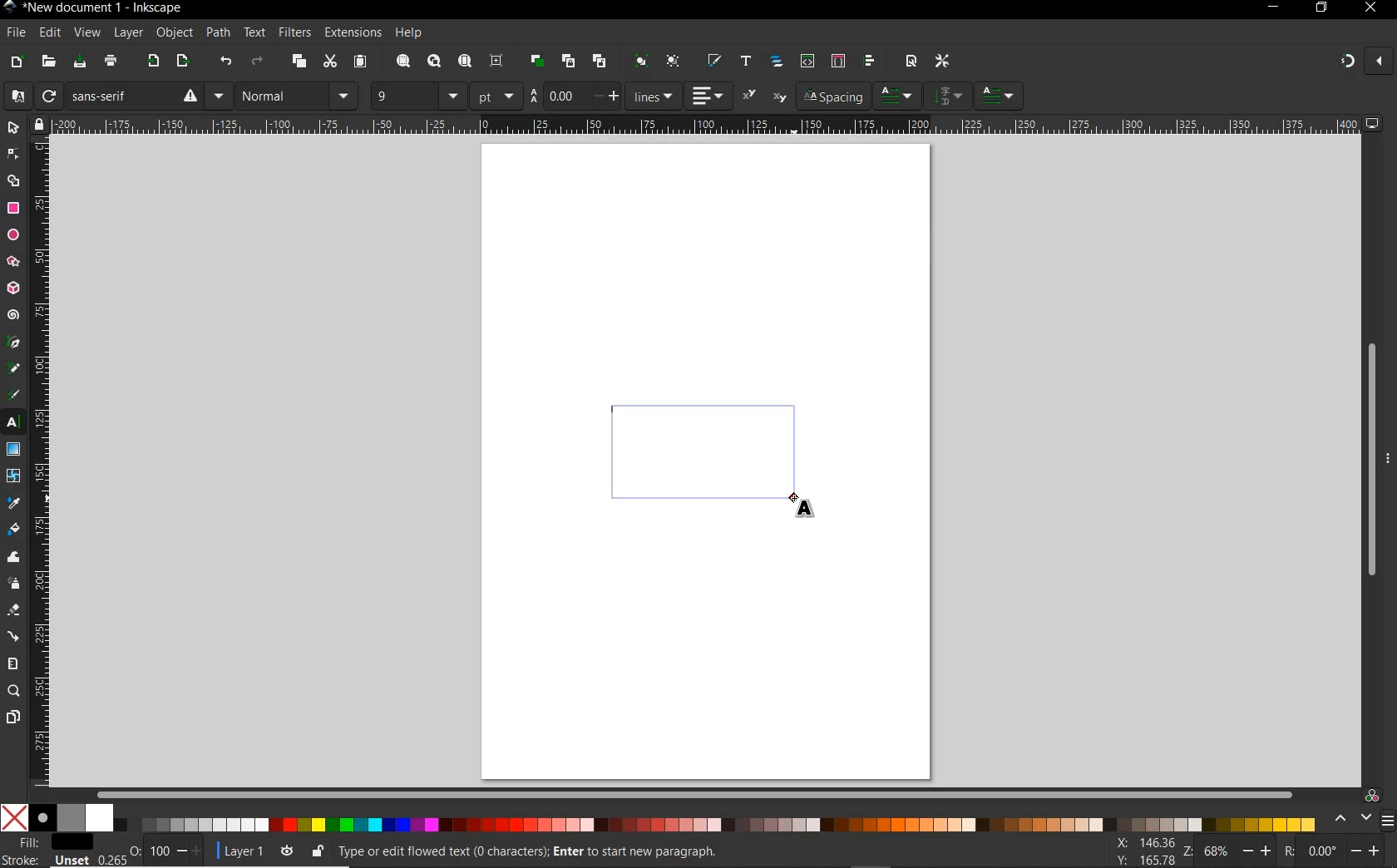 The image size is (1397, 868). Describe the element at coordinates (190, 851) in the screenshot. I see `increase/decrease` at that location.